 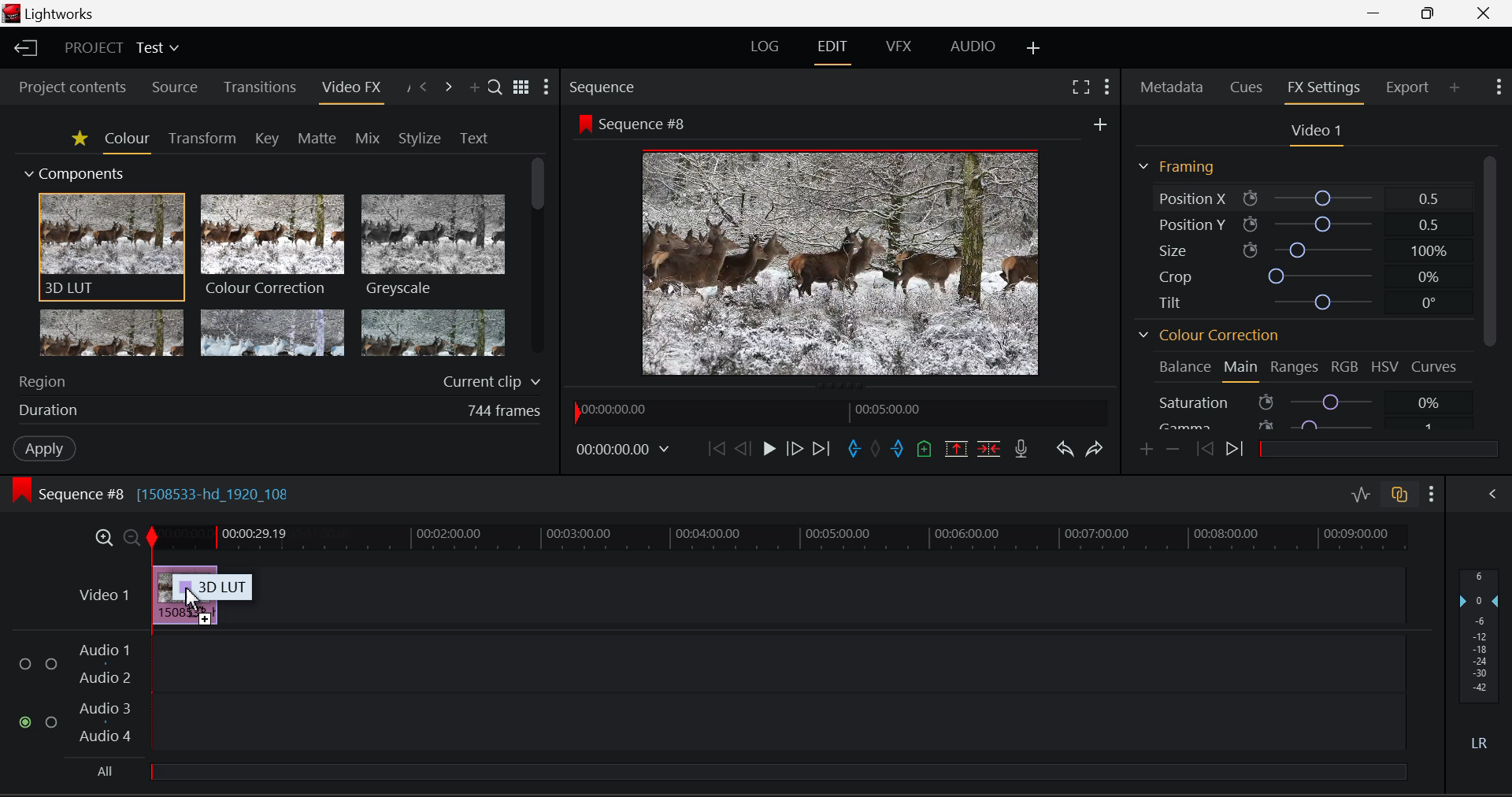 What do you see at coordinates (1294, 366) in the screenshot?
I see `Ranges` at bounding box center [1294, 366].